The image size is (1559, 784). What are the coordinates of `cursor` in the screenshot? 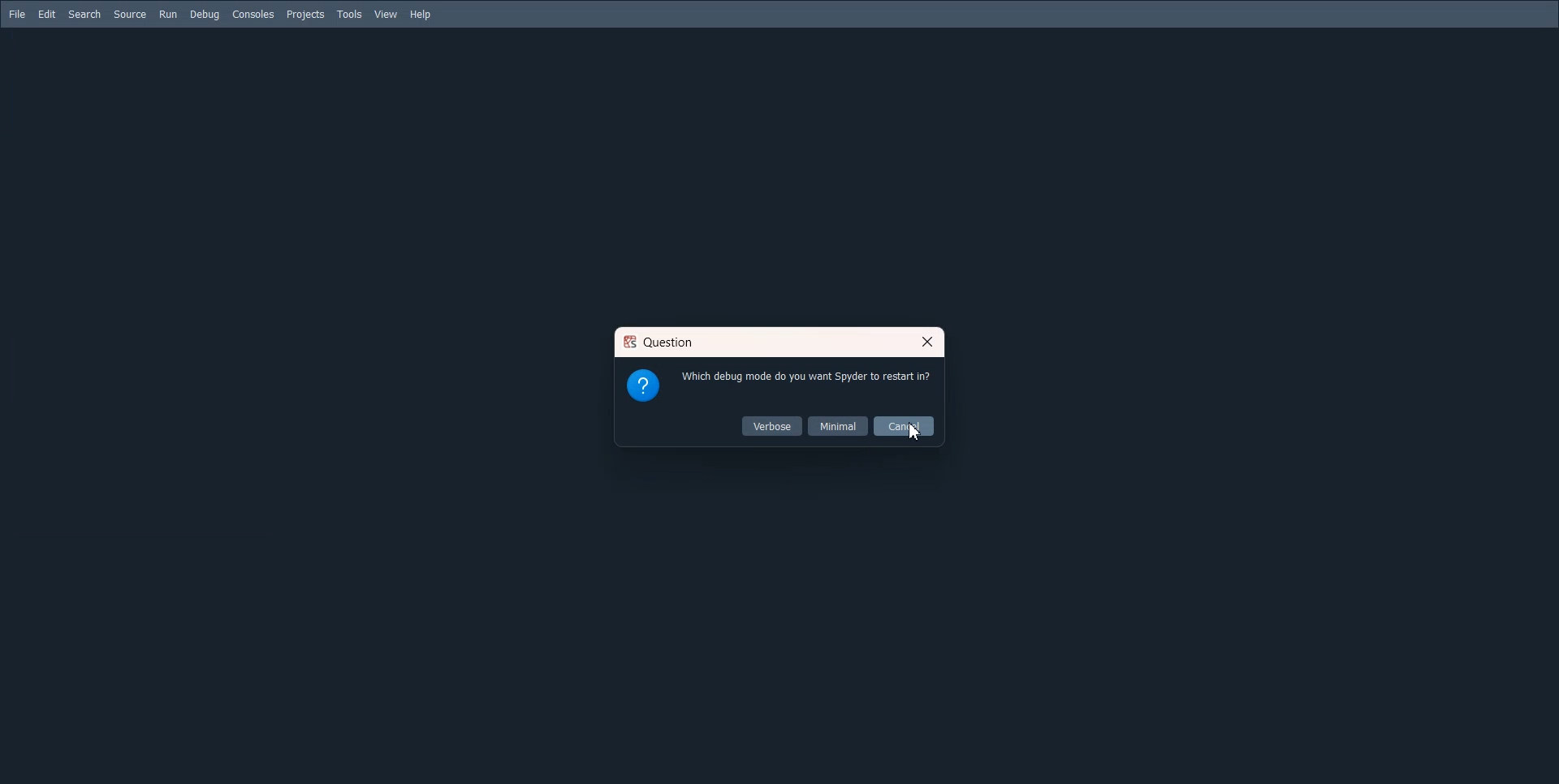 It's located at (918, 435).